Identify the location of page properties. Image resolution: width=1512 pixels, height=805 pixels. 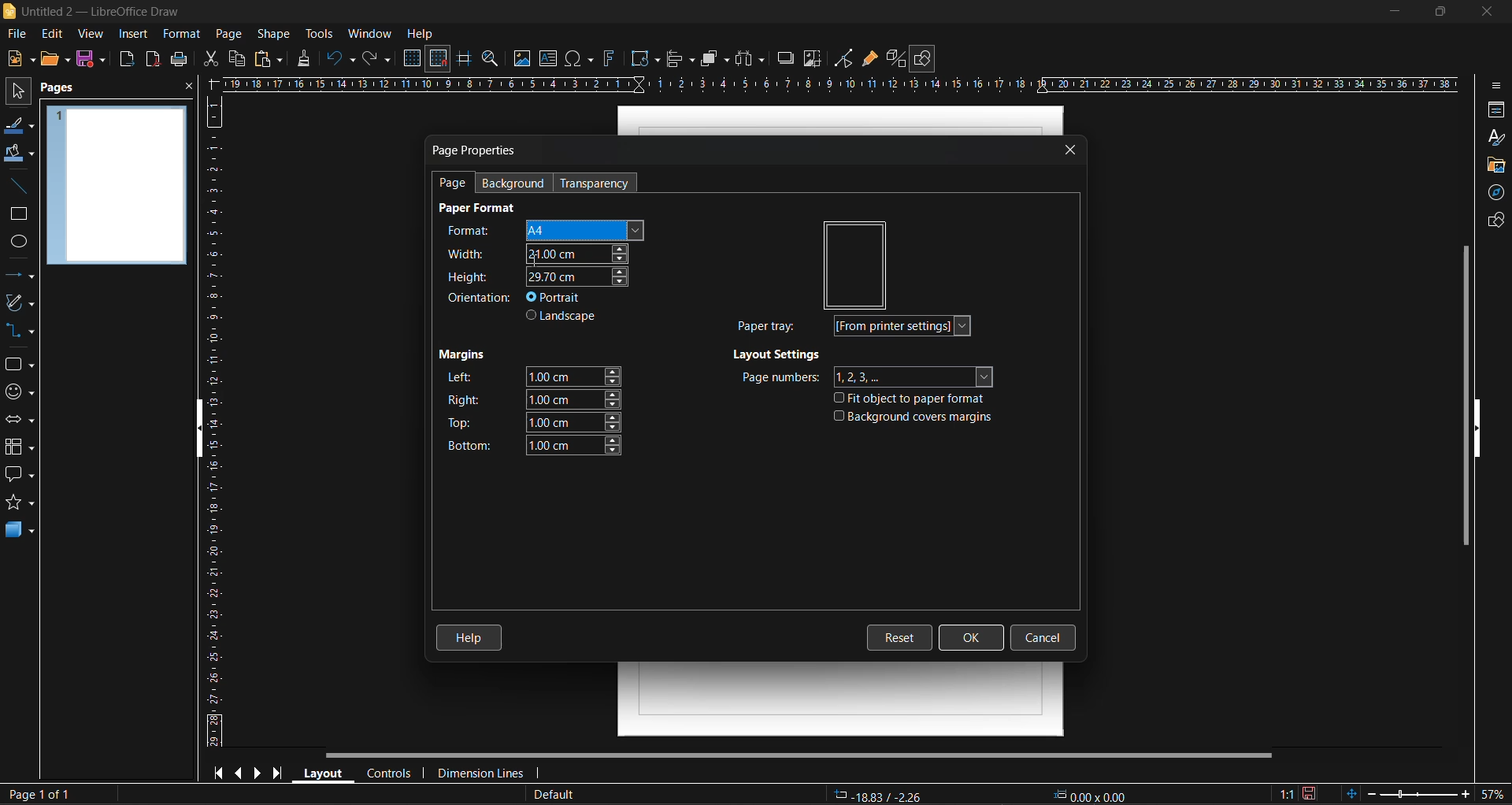
(478, 150).